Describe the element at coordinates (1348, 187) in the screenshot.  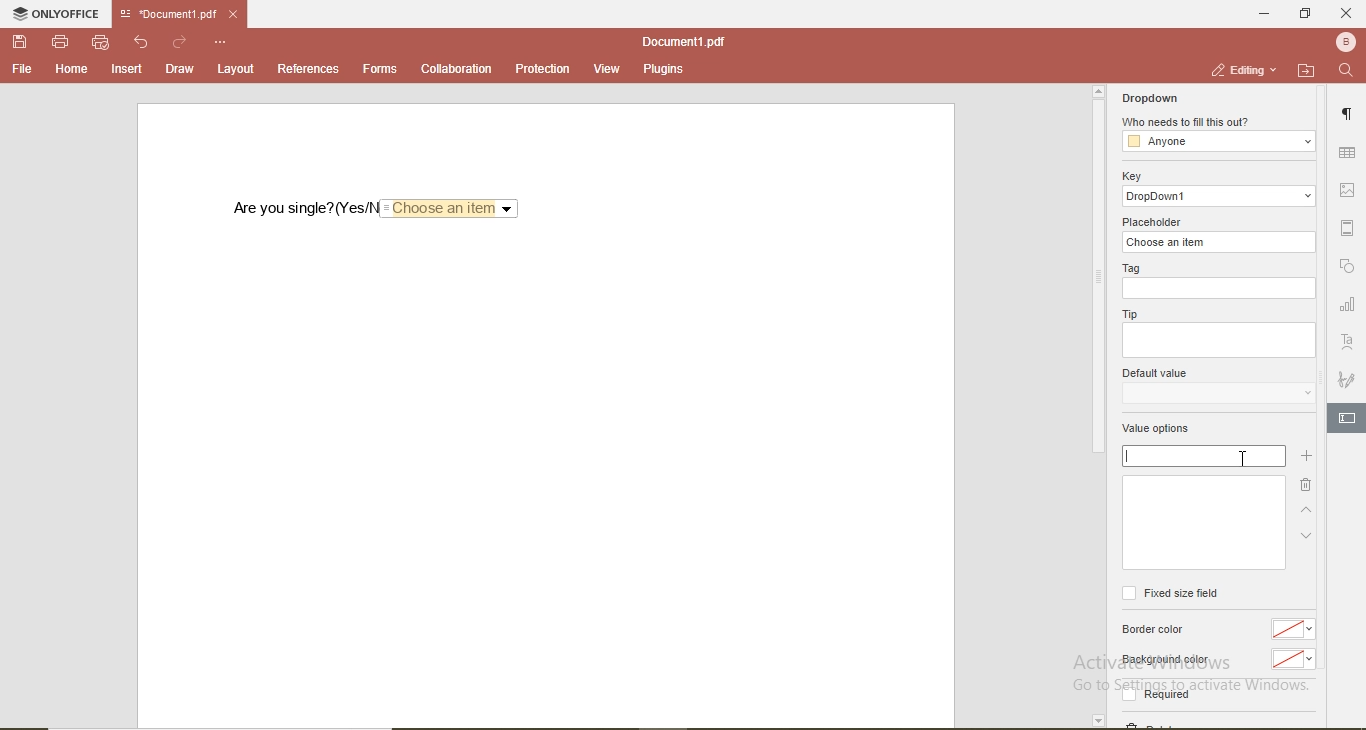
I see `image` at that location.